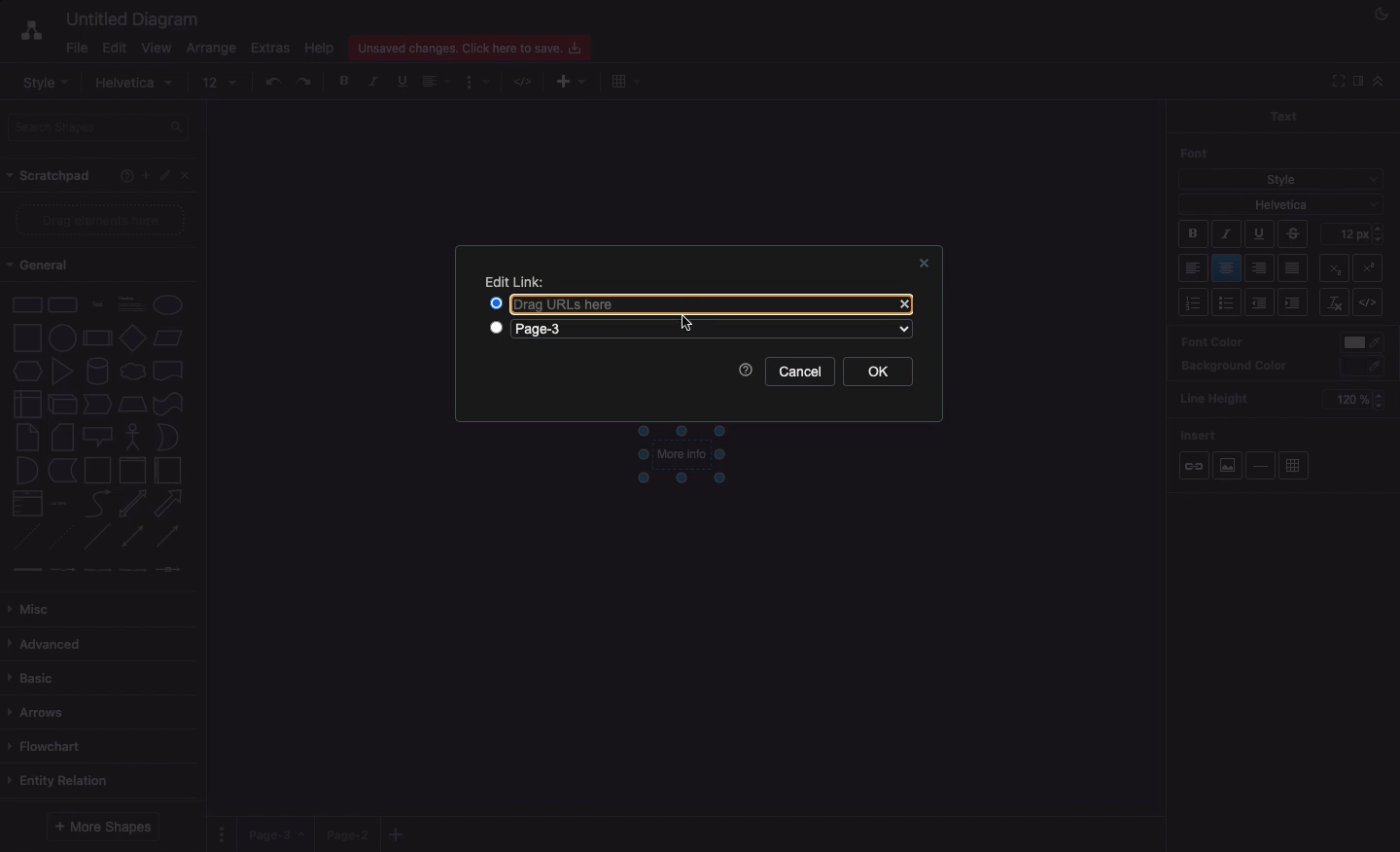  I want to click on Add, so click(400, 834).